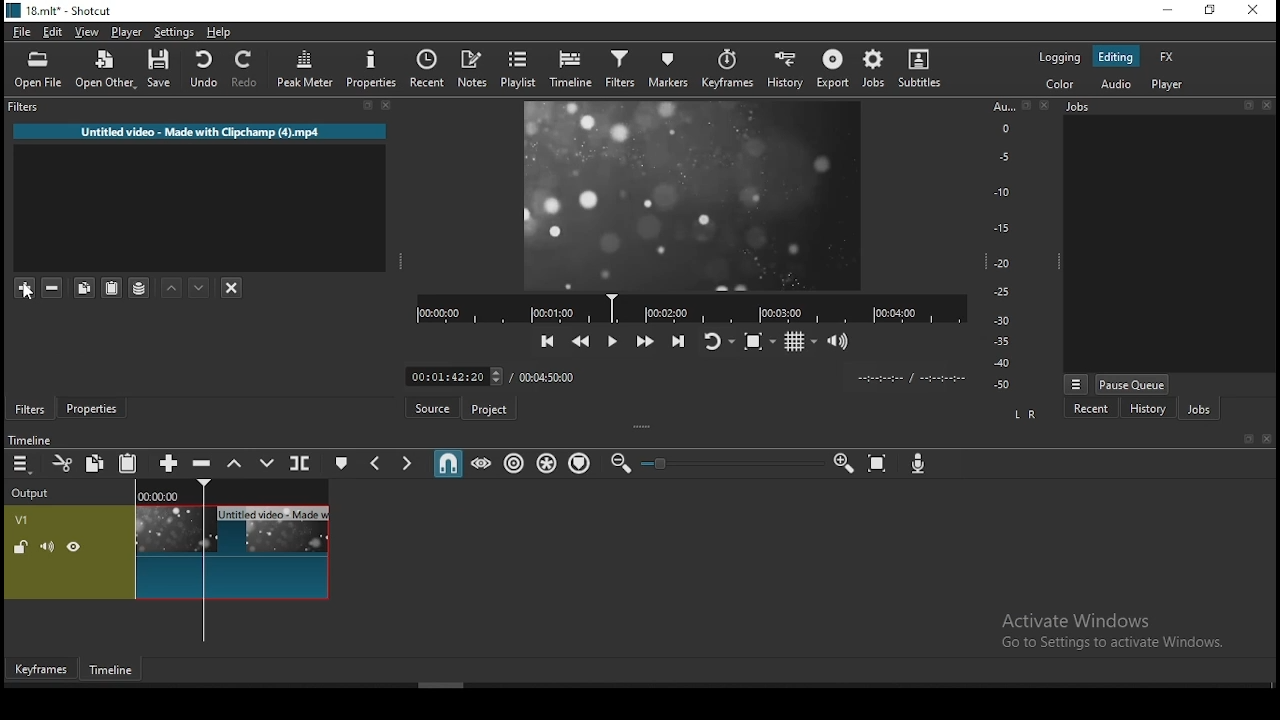 The height and width of the screenshot is (720, 1280). I want to click on restore, so click(1212, 12).